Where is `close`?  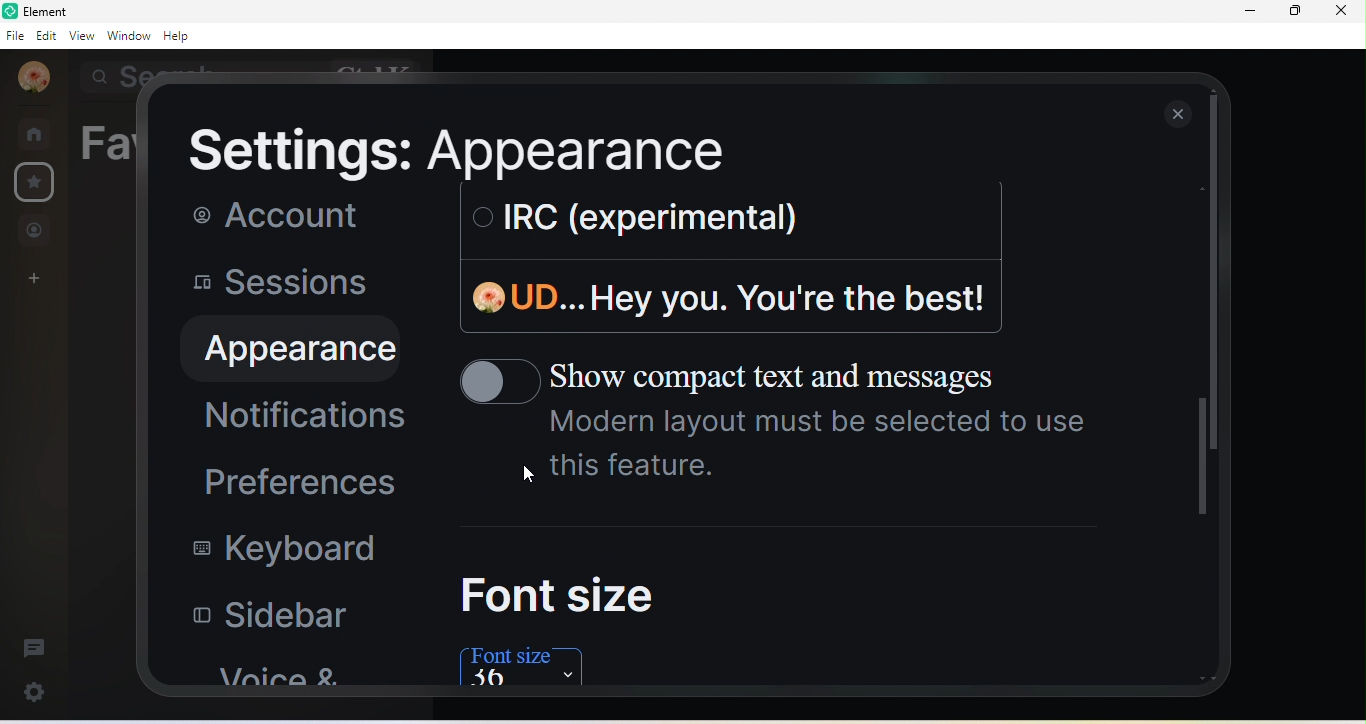
close is located at coordinates (1346, 16).